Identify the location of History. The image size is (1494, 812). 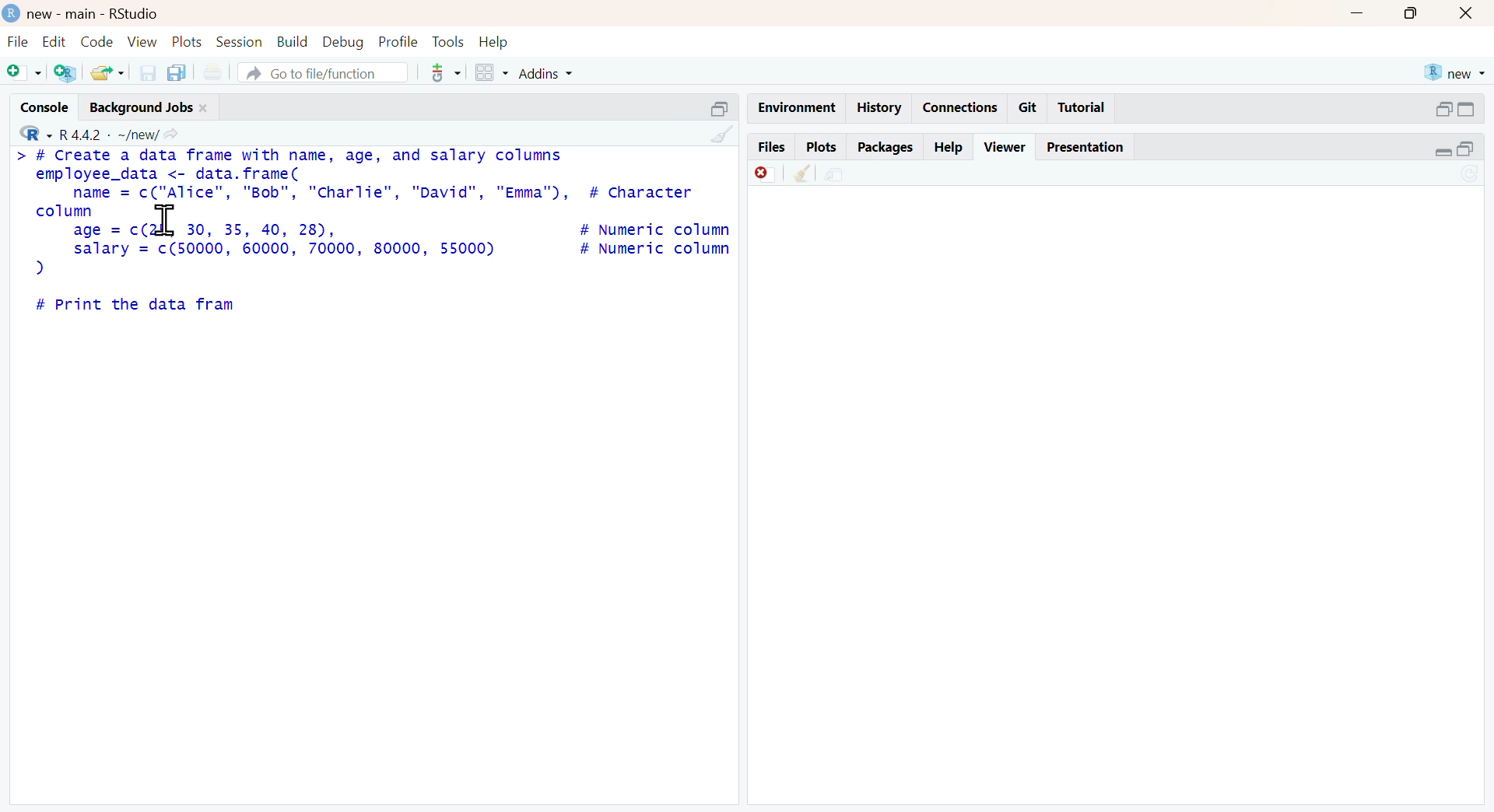
(882, 109).